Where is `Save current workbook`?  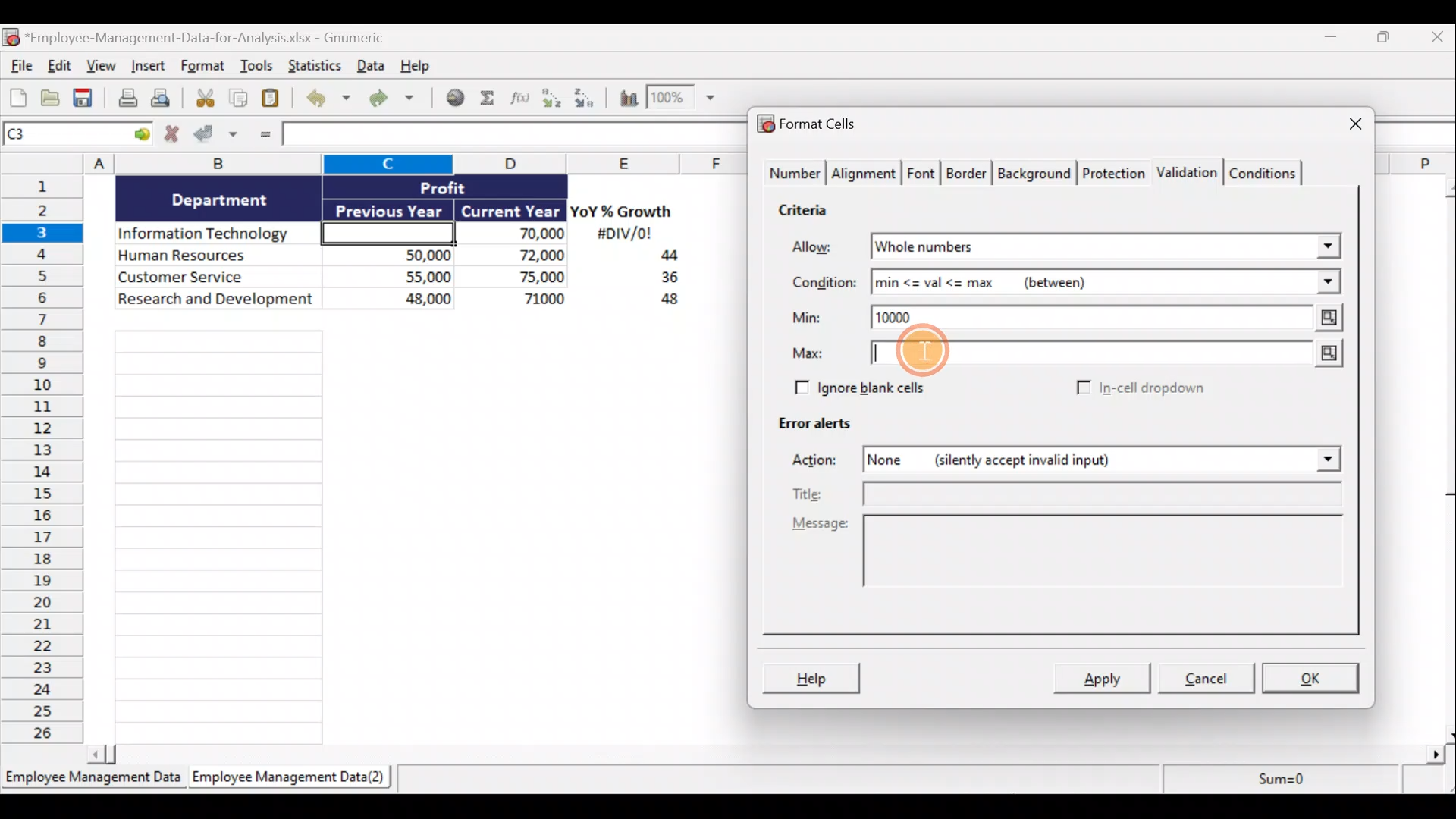
Save current workbook is located at coordinates (84, 99).